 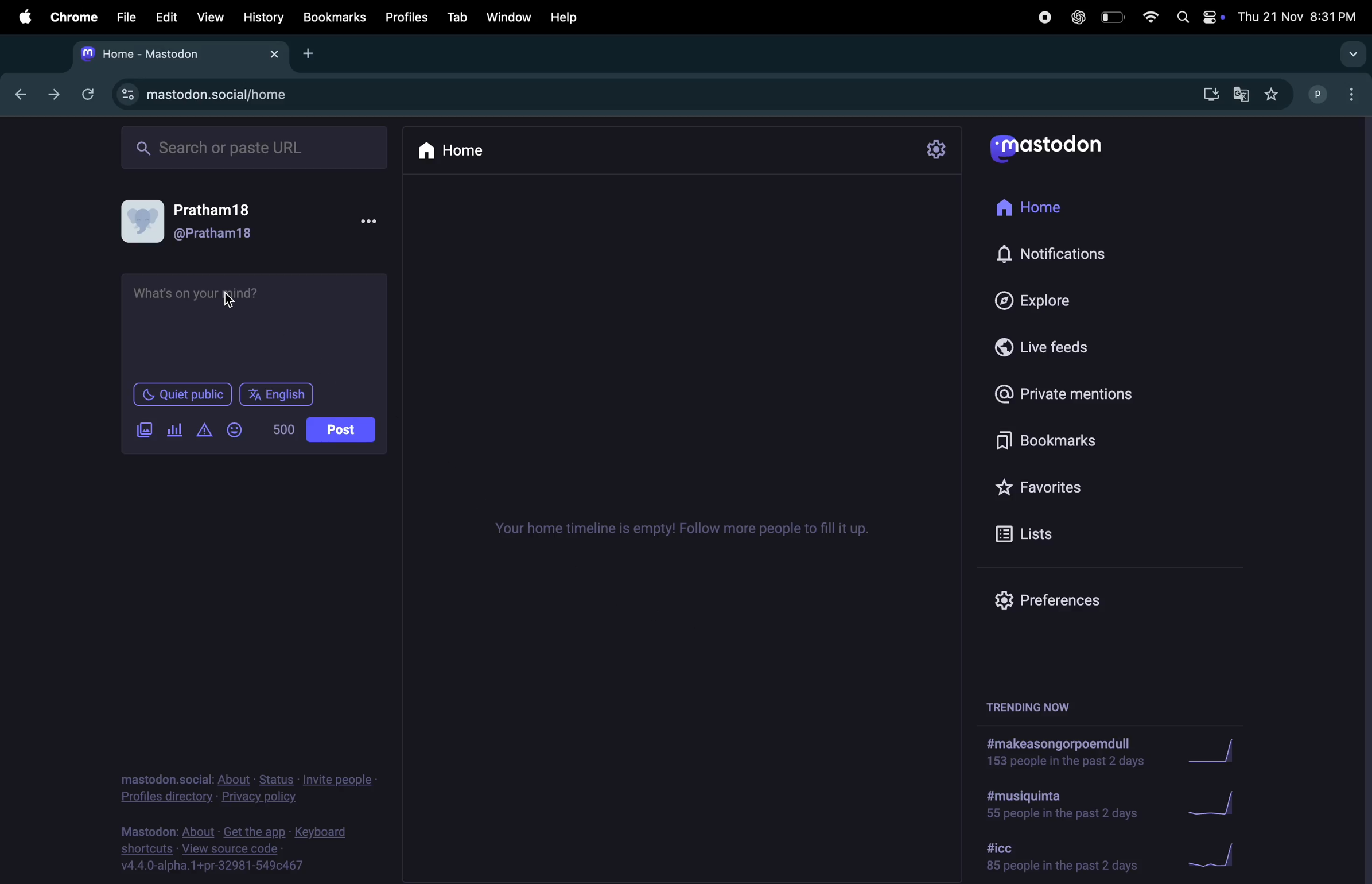 What do you see at coordinates (261, 17) in the screenshot?
I see `history` at bounding box center [261, 17].